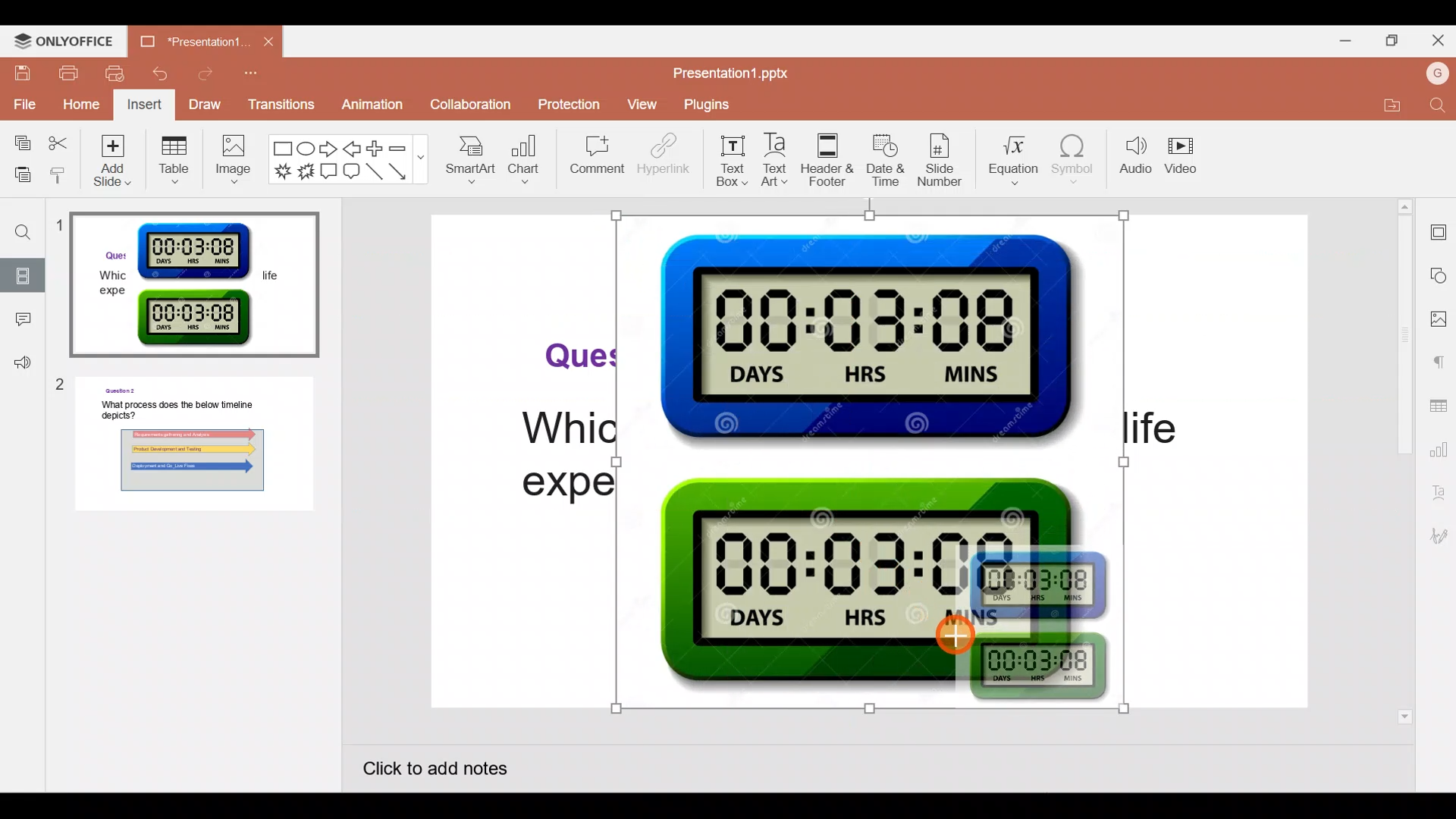 The image size is (1456, 819). What do you see at coordinates (81, 104) in the screenshot?
I see `Home` at bounding box center [81, 104].